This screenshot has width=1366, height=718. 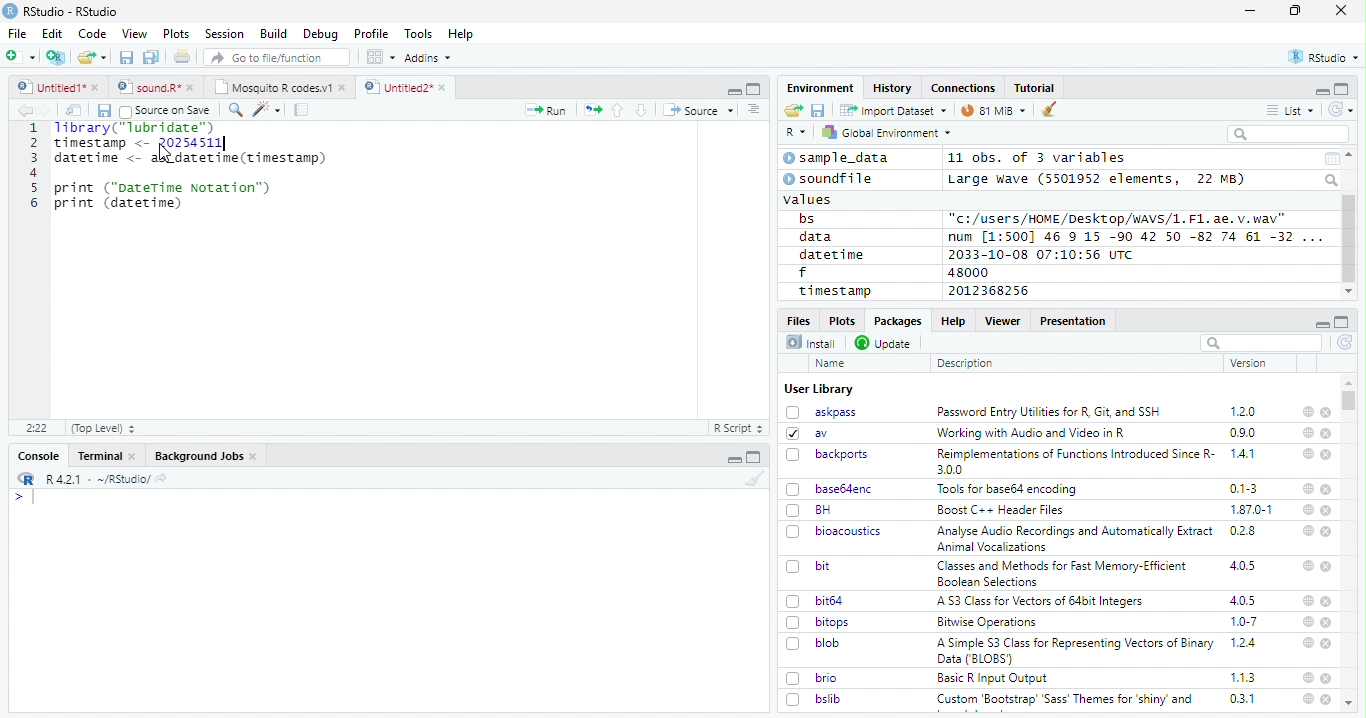 I want to click on 1.87.0-1, so click(x=1251, y=510).